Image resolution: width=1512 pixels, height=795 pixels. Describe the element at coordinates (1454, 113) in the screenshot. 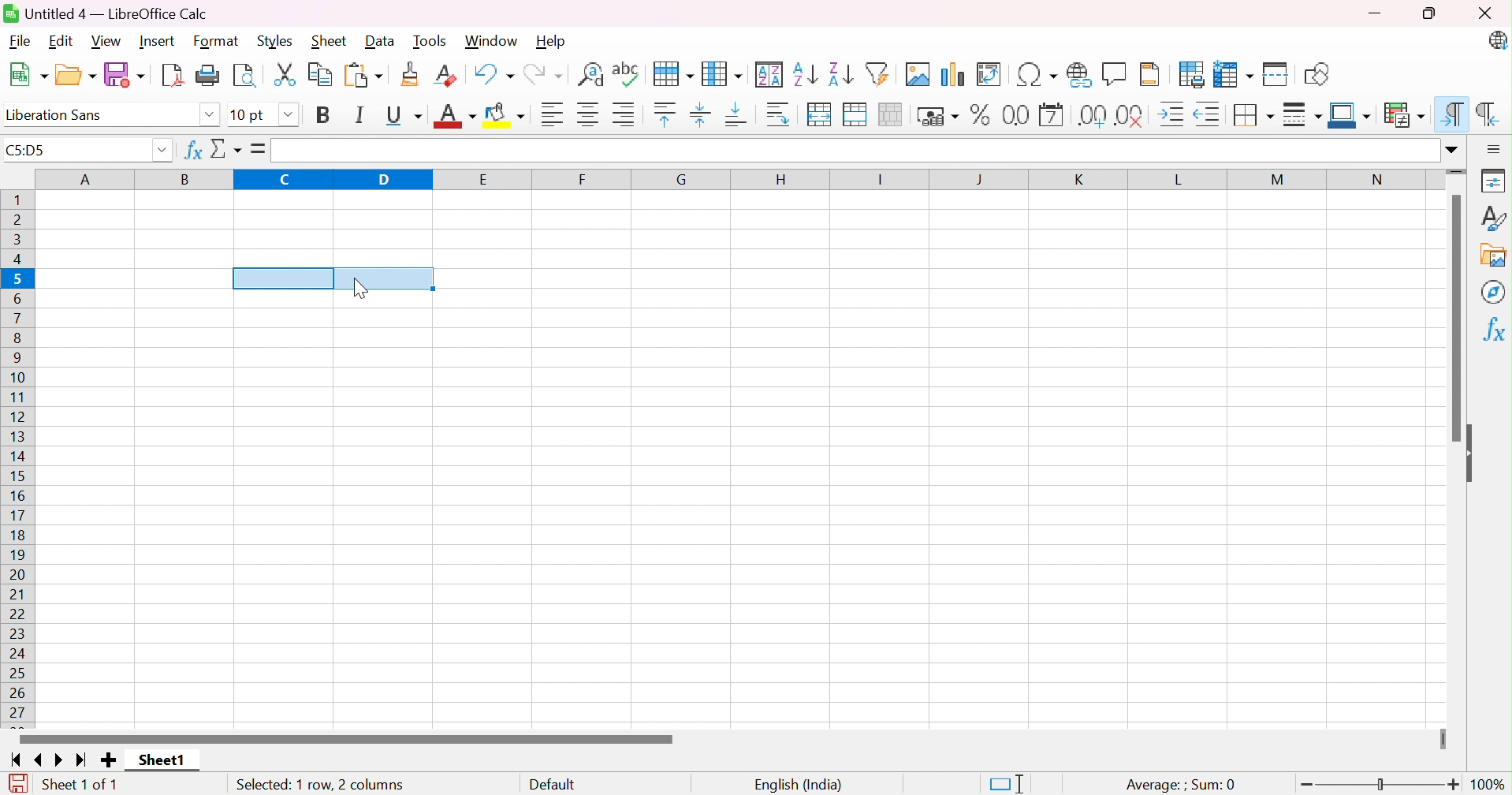

I see `Left-To-Right` at that location.